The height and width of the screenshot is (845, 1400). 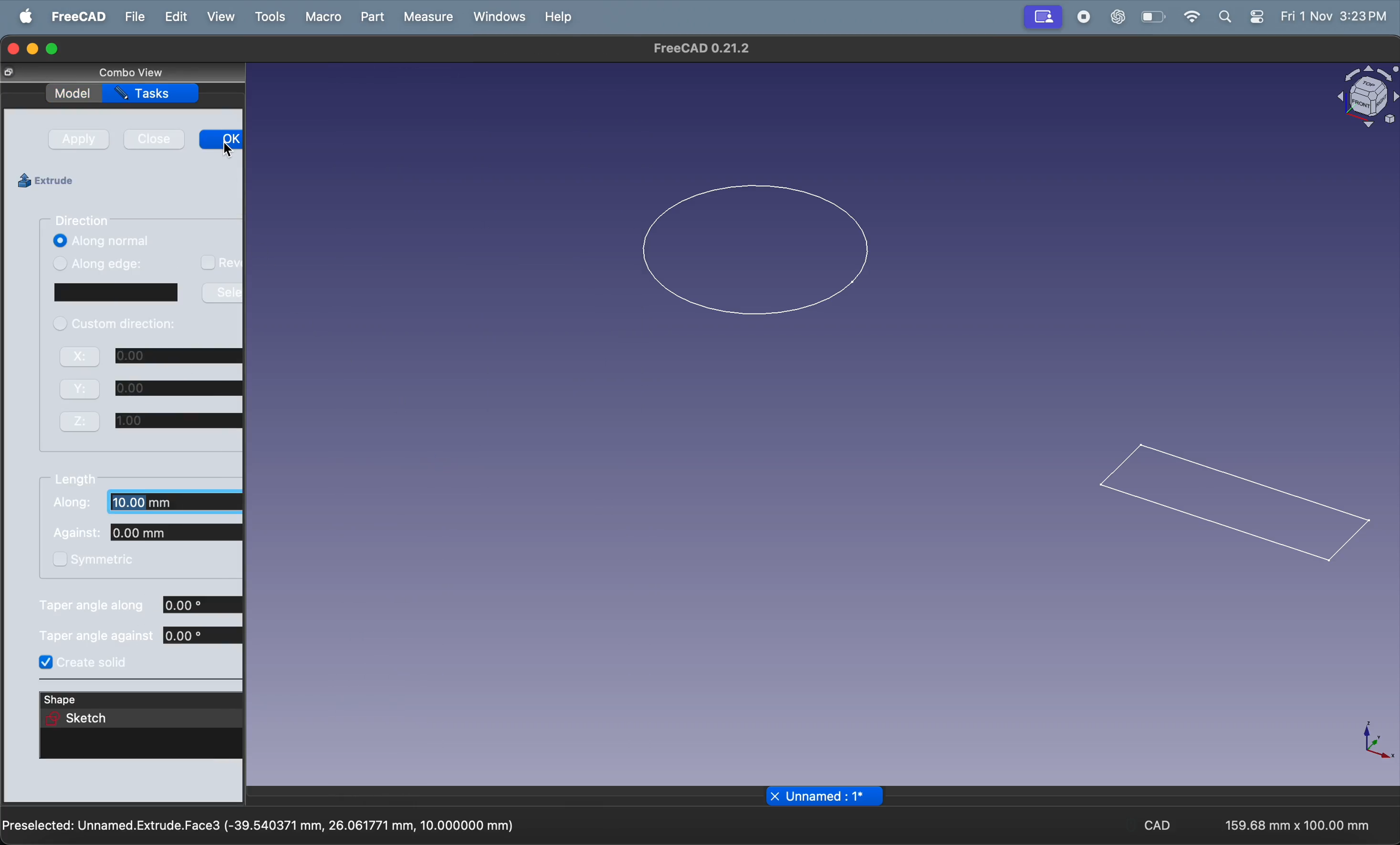 I want to click on wifi, so click(x=1192, y=16).